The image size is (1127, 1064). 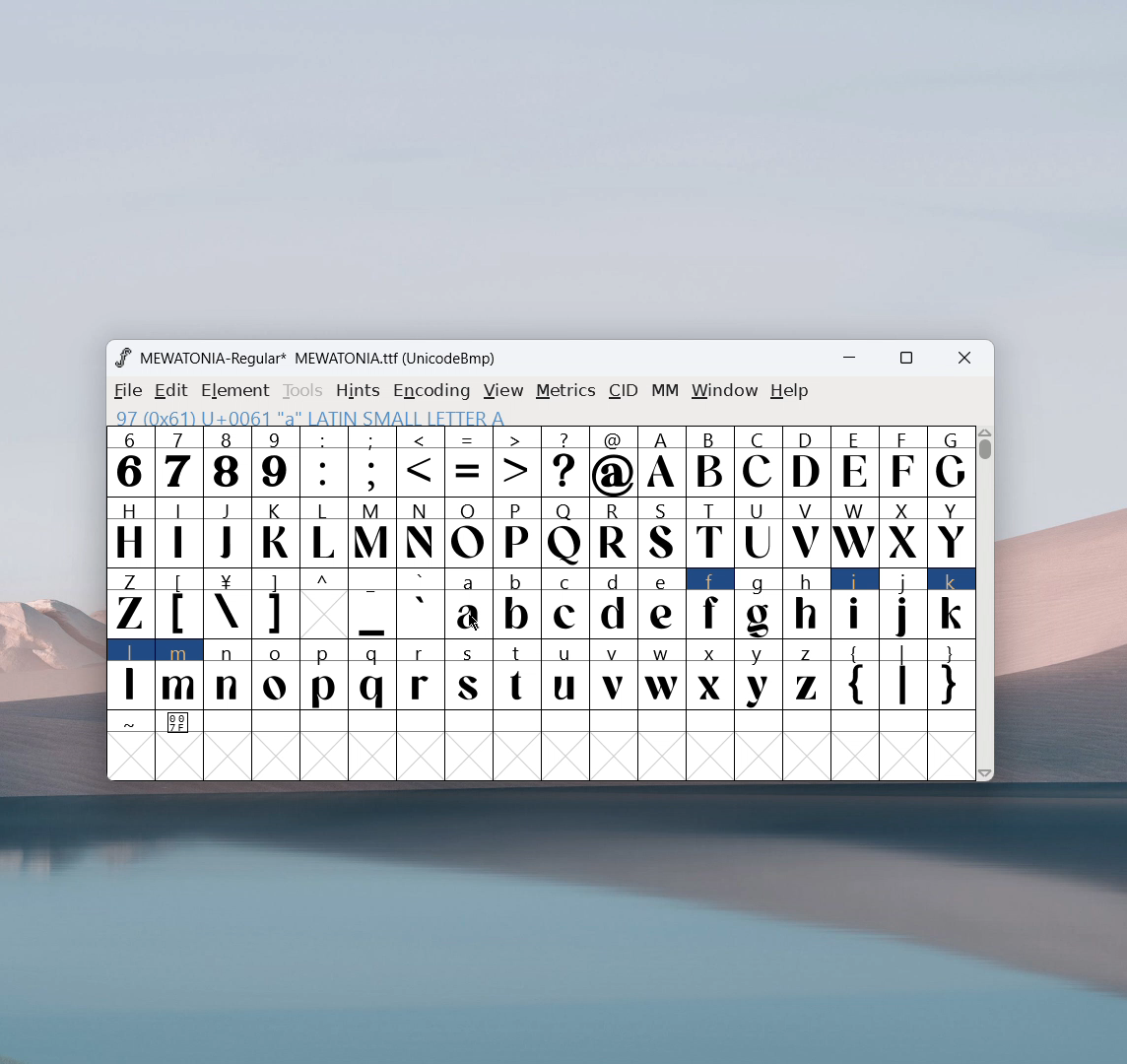 I want to click on minimize, so click(x=856, y=361).